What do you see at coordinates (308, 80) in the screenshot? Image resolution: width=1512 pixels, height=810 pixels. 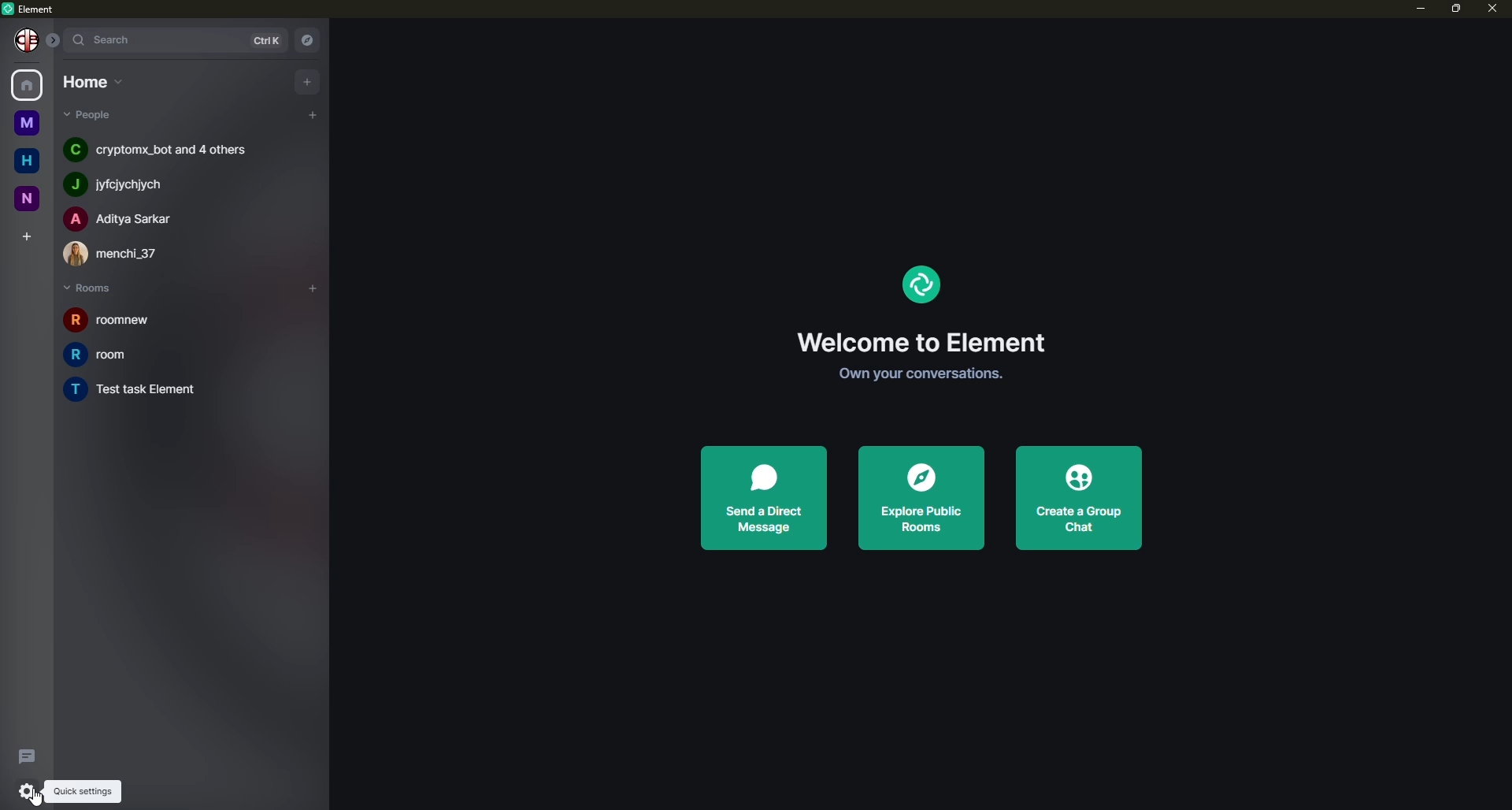 I see `add` at bounding box center [308, 80].